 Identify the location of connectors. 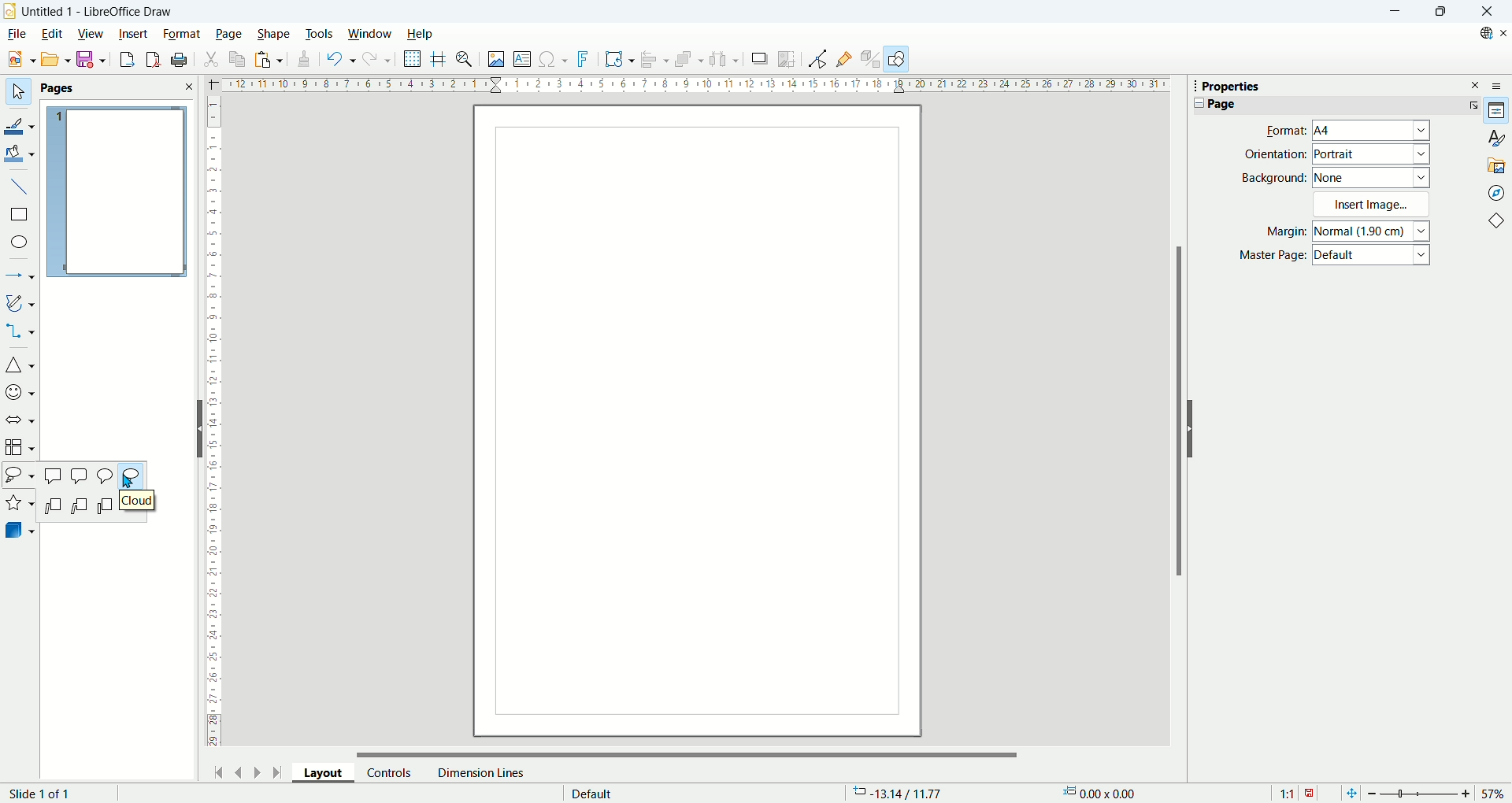
(20, 332).